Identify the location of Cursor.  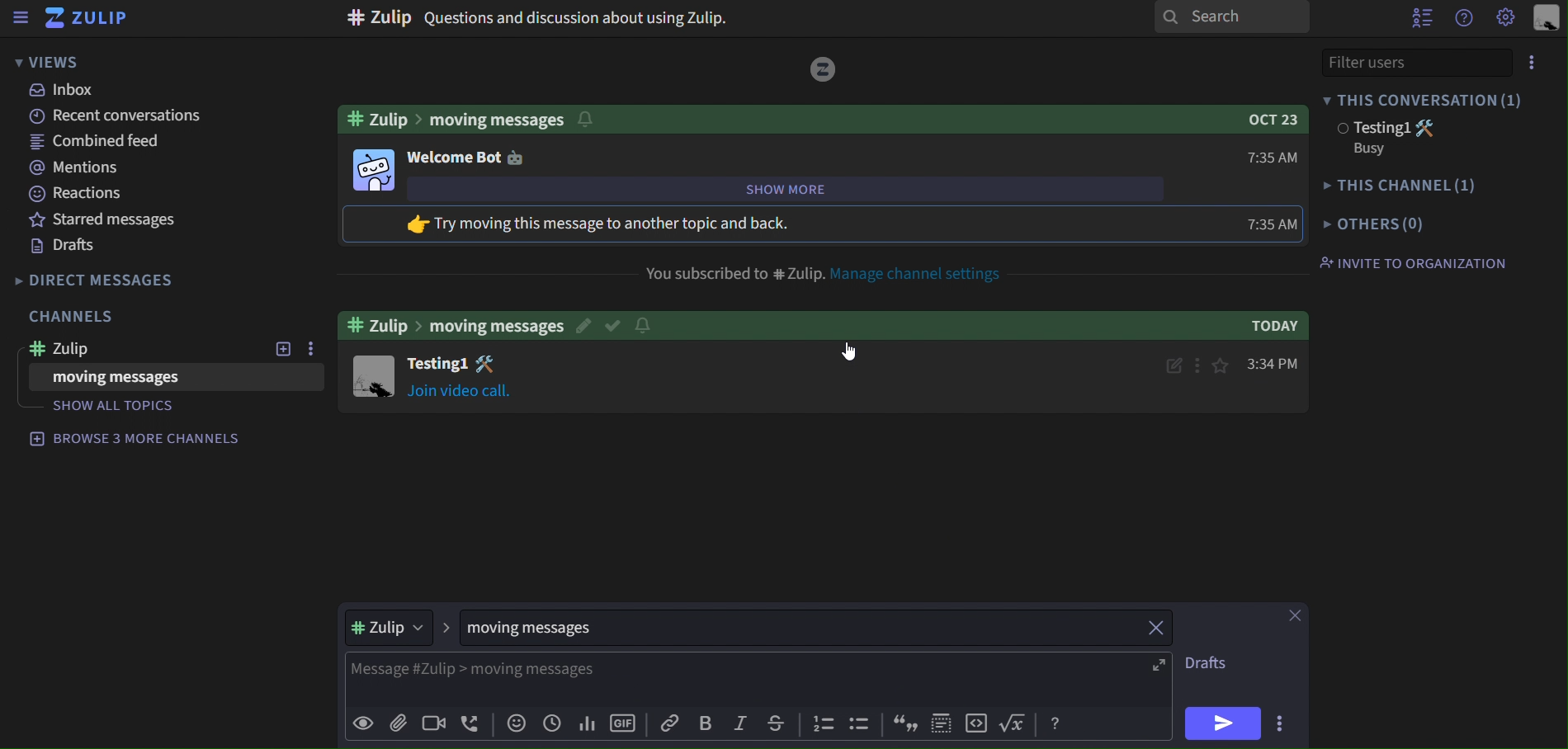
(848, 352).